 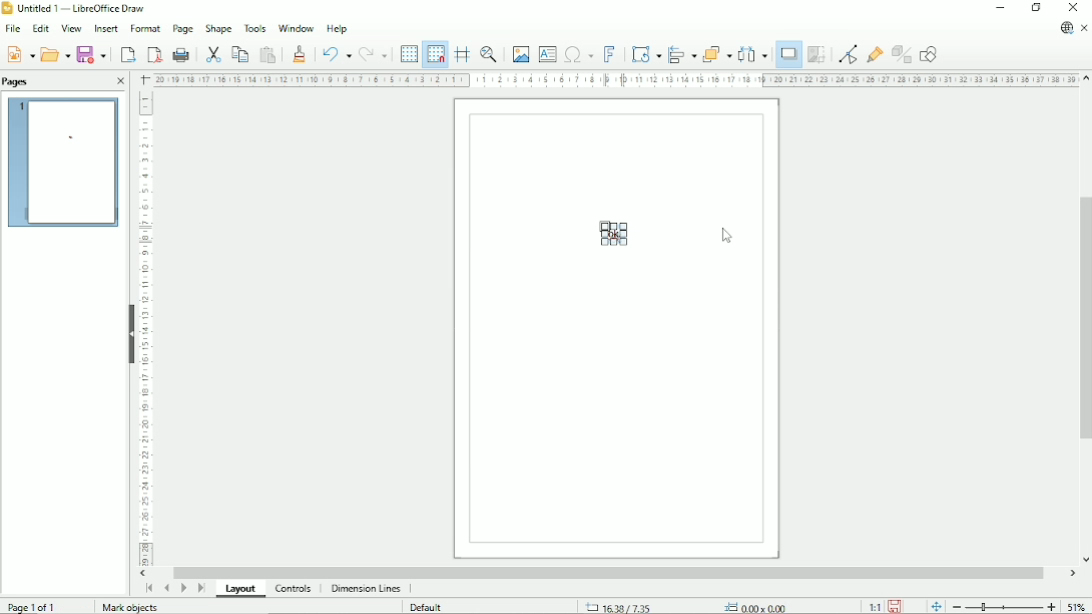 What do you see at coordinates (1004, 606) in the screenshot?
I see `Zoom out/in` at bounding box center [1004, 606].